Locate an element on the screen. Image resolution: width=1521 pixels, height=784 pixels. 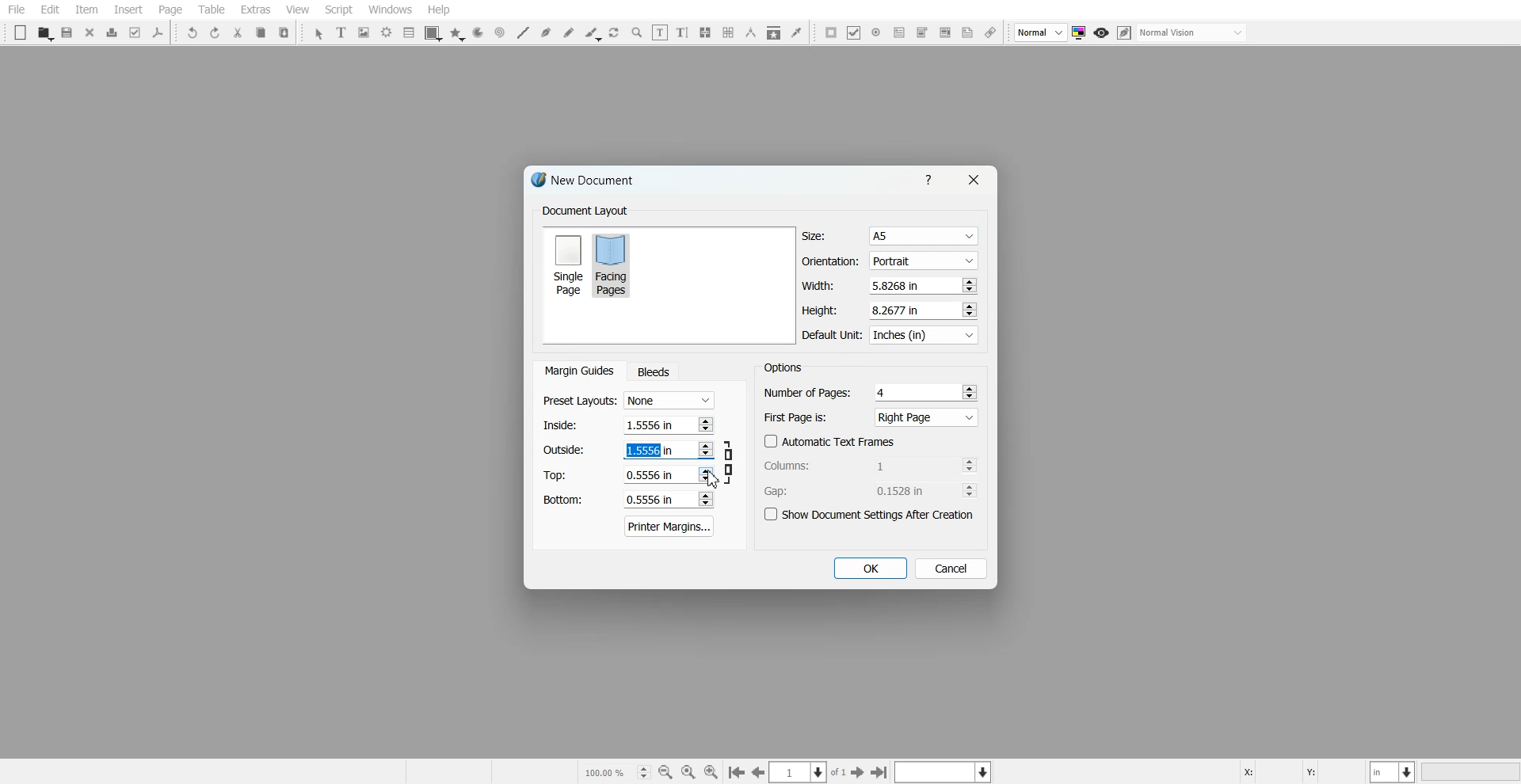
Paste is located at coordinates (284, 32).